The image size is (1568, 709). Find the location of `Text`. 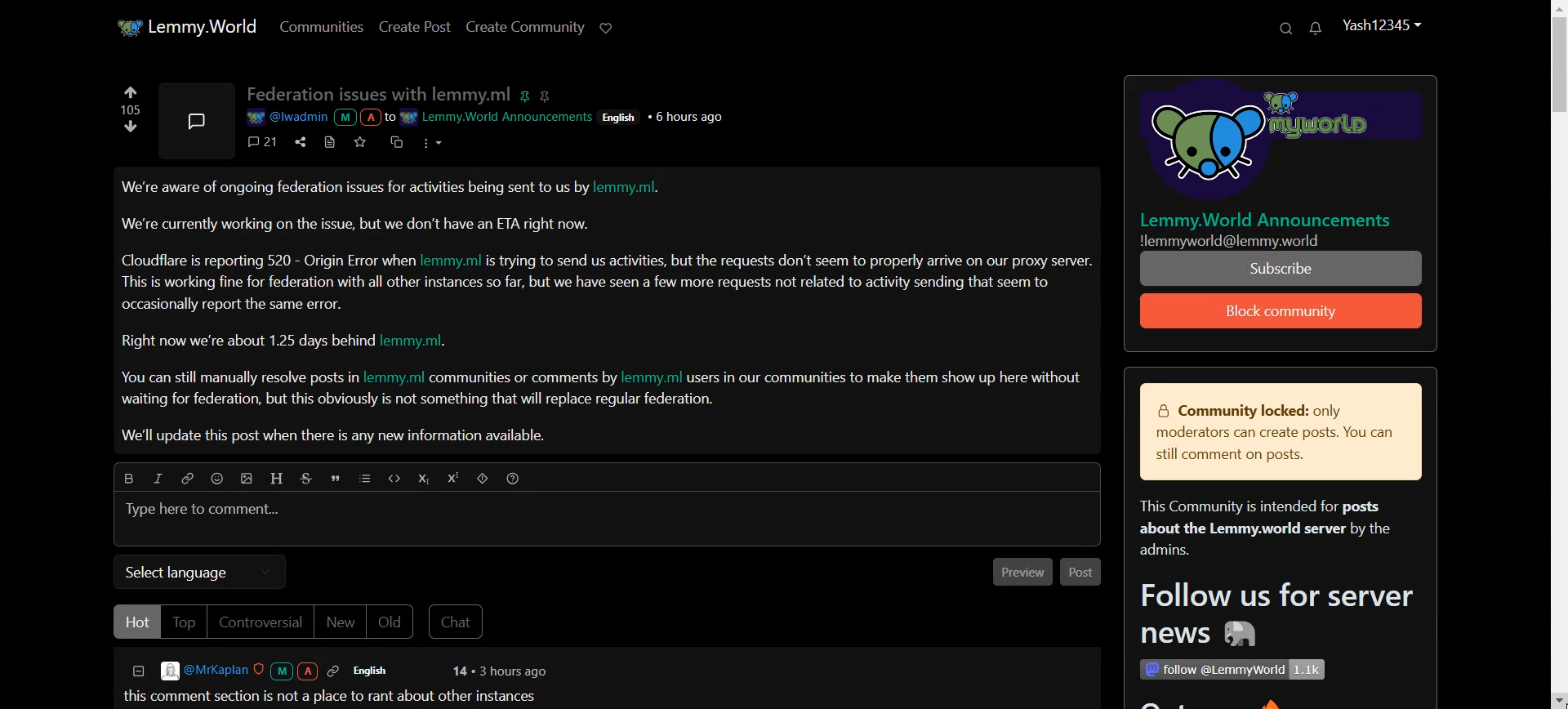

Text is located at coordinates (376, 94).